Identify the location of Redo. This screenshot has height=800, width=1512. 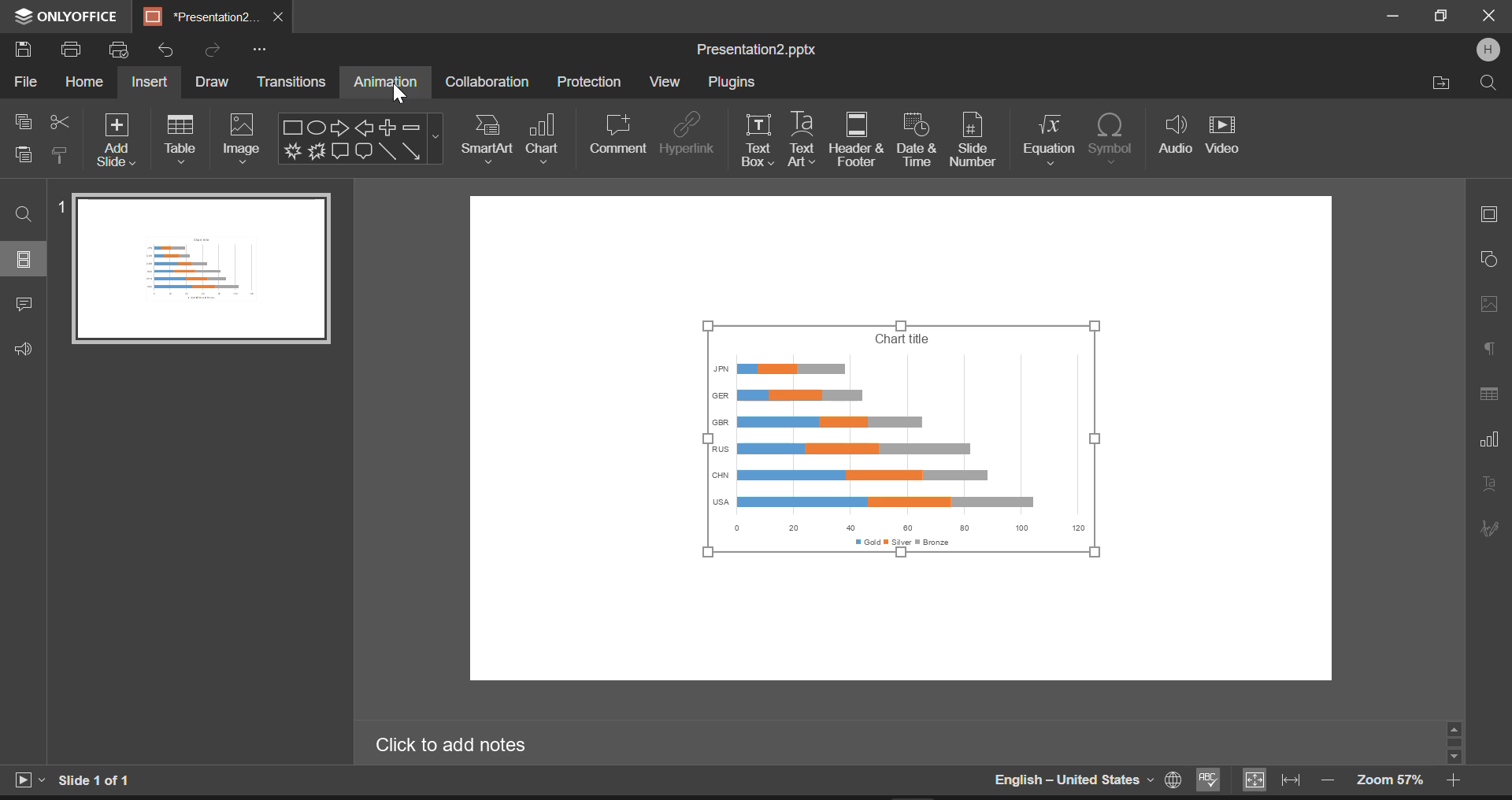
(213, 48).